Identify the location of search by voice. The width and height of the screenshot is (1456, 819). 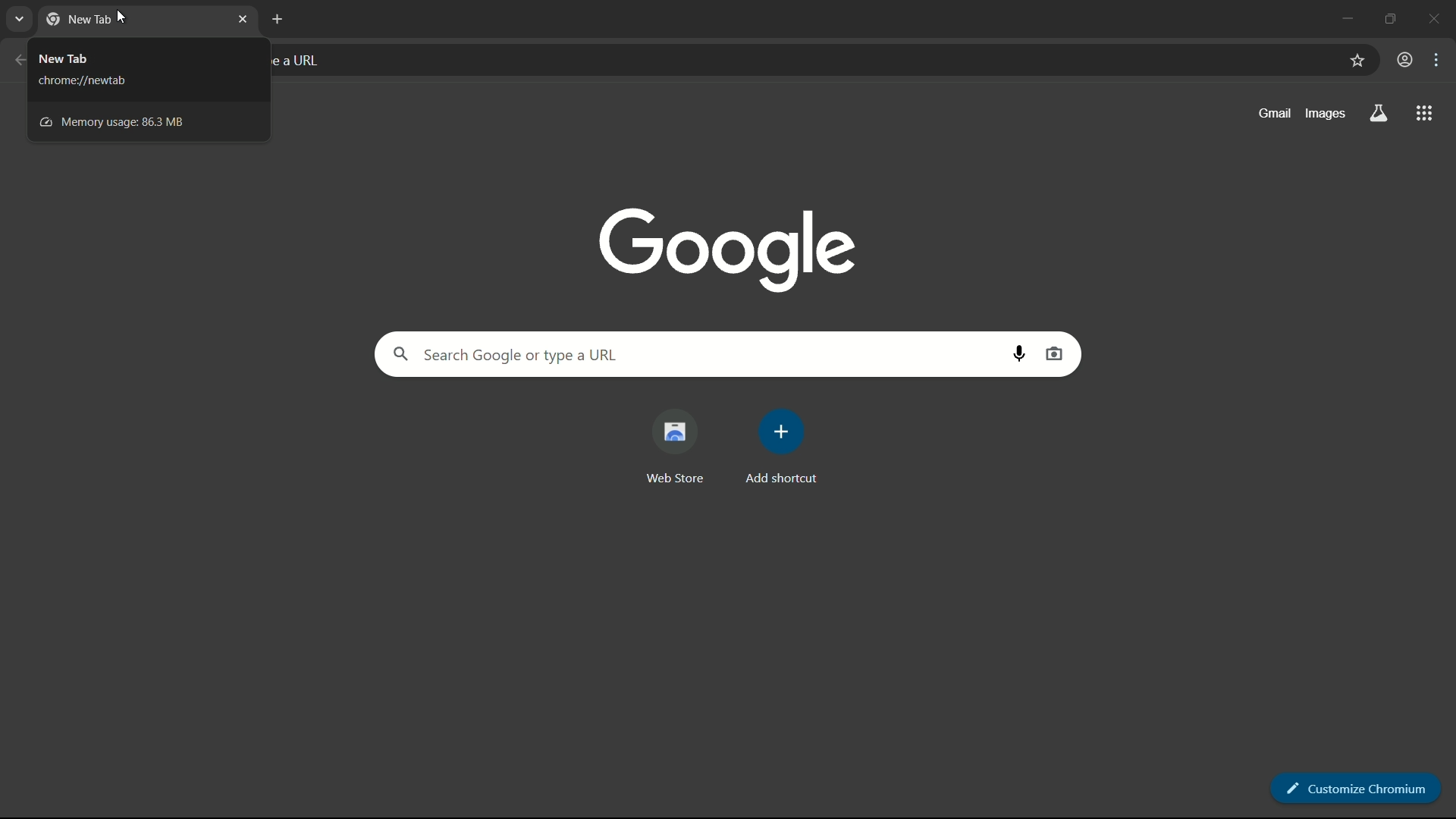
(1023, 356).